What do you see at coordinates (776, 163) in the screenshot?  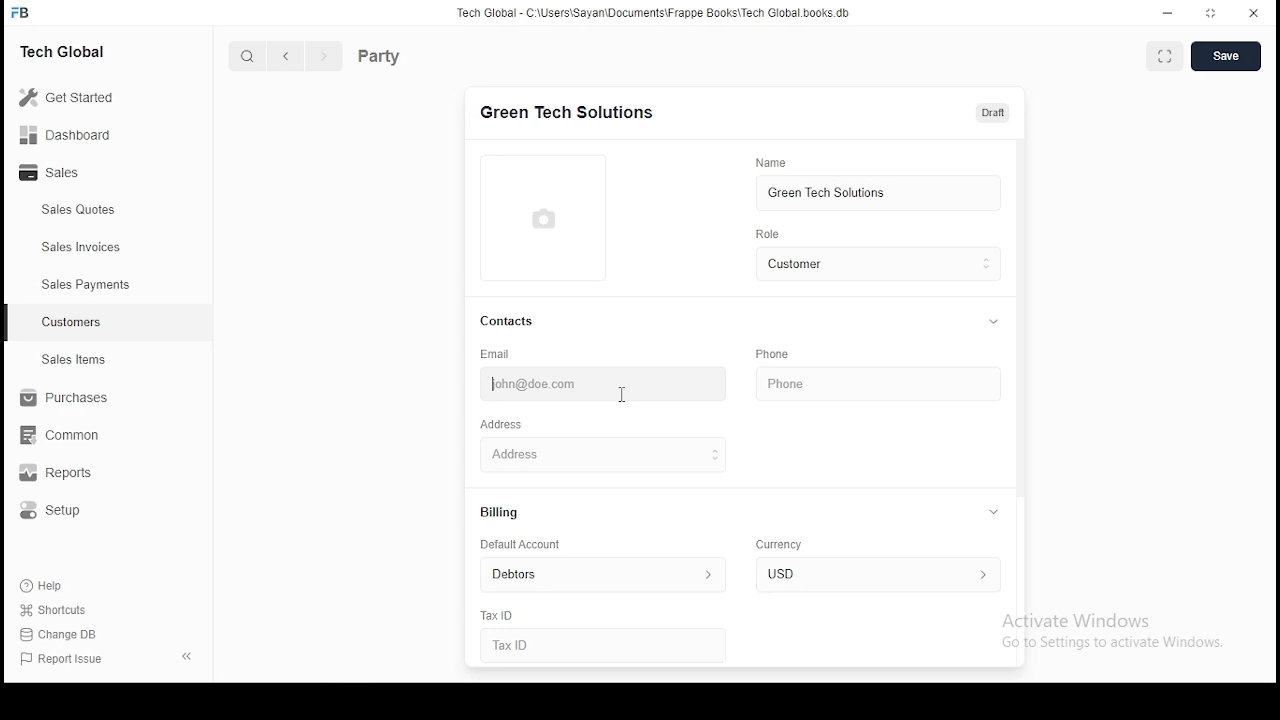 I see `name` at bounding box center [776, 163].